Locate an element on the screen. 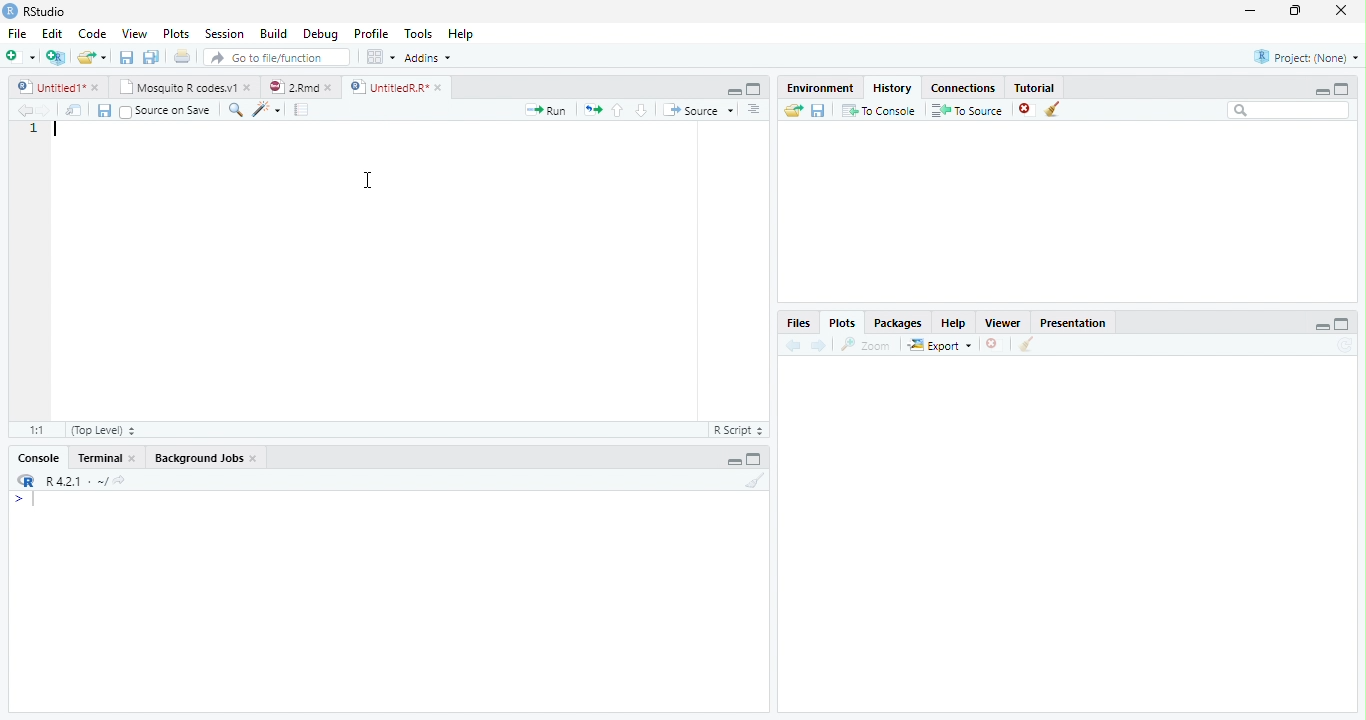 The height and width of the screenshot is (720, 1366). maximize is located at coordinates (1297, 10).